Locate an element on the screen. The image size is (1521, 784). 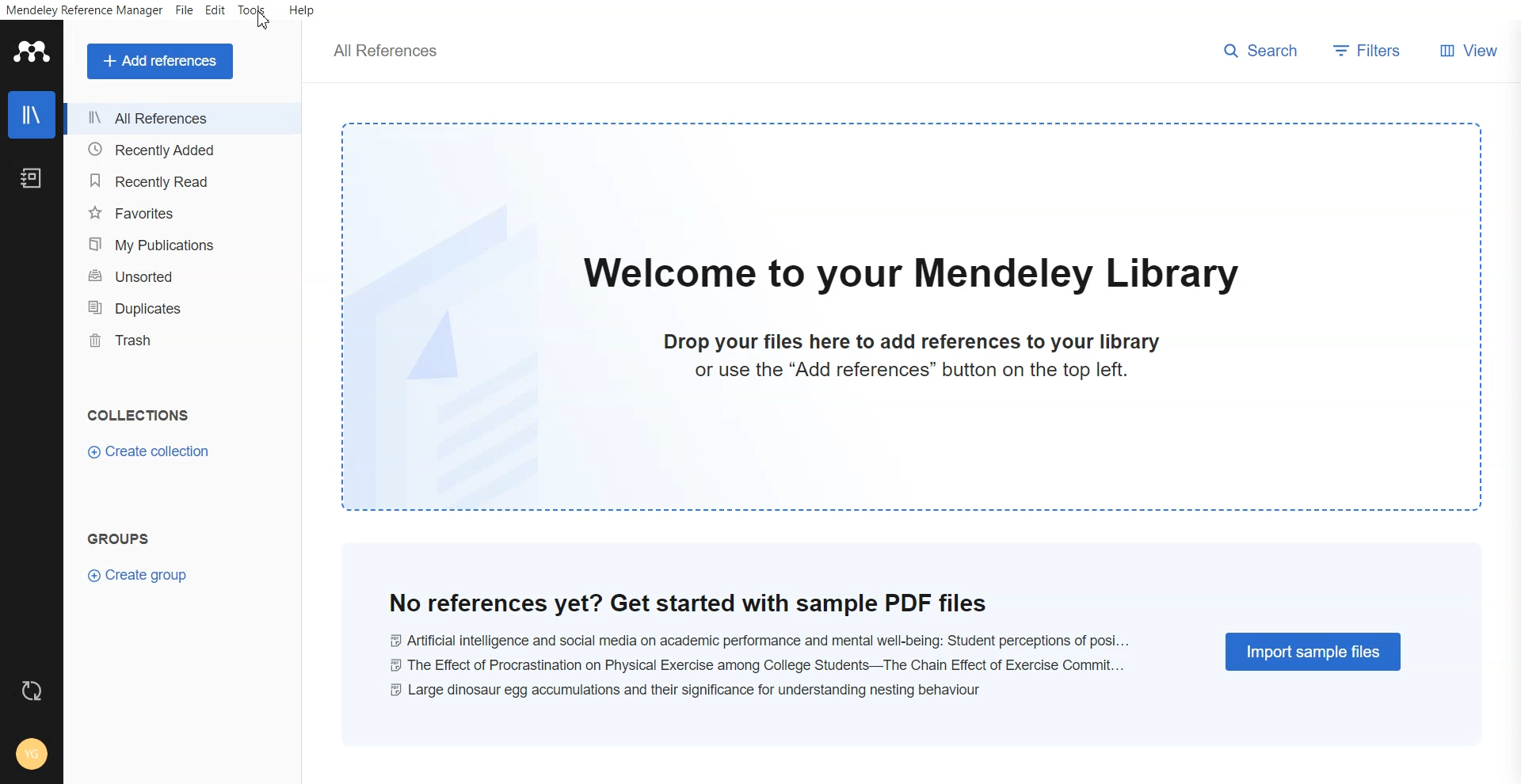
Library icon is located at coordinates (32, 114).